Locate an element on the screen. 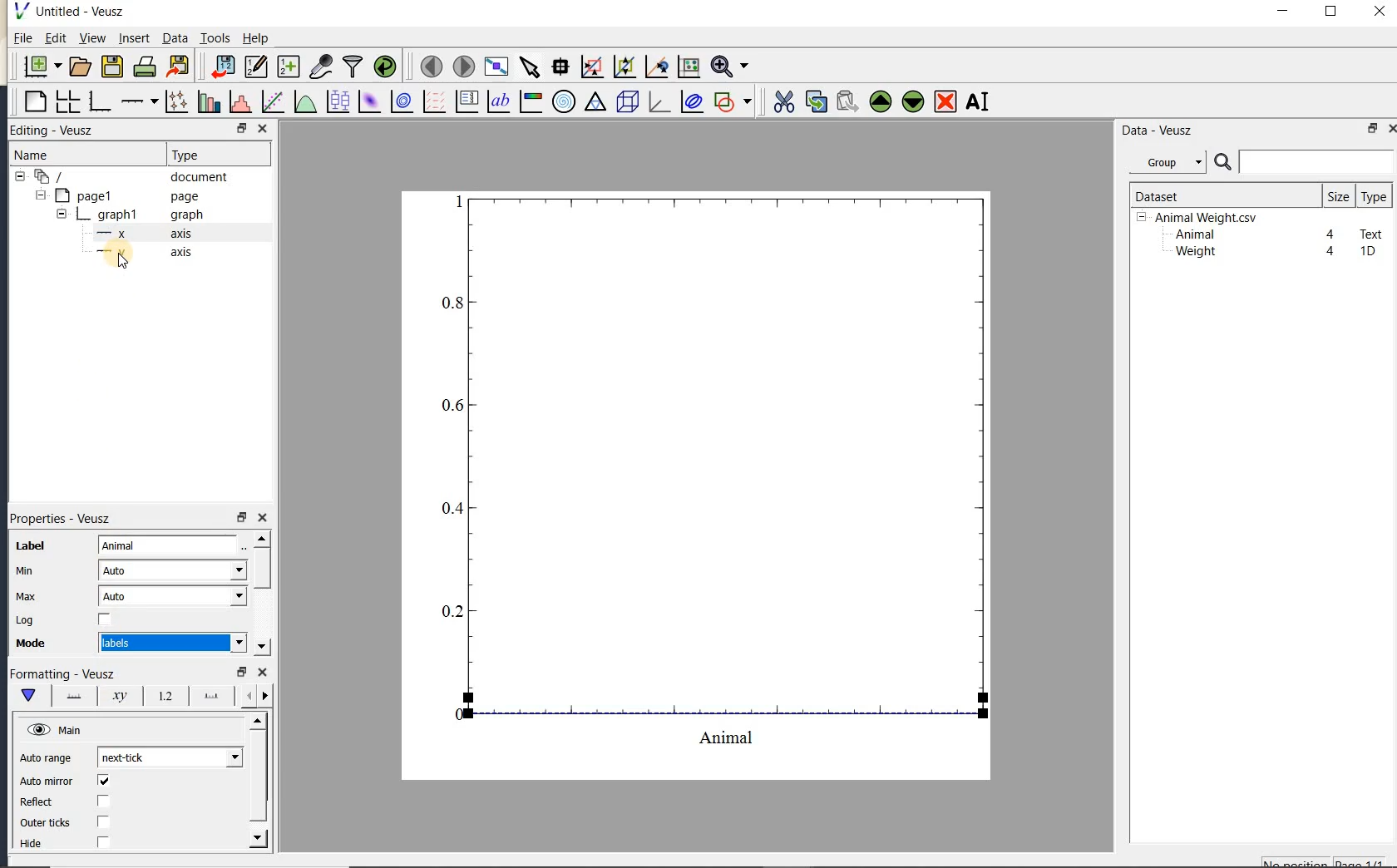  Dataset is located at coordinates (1218, 195).